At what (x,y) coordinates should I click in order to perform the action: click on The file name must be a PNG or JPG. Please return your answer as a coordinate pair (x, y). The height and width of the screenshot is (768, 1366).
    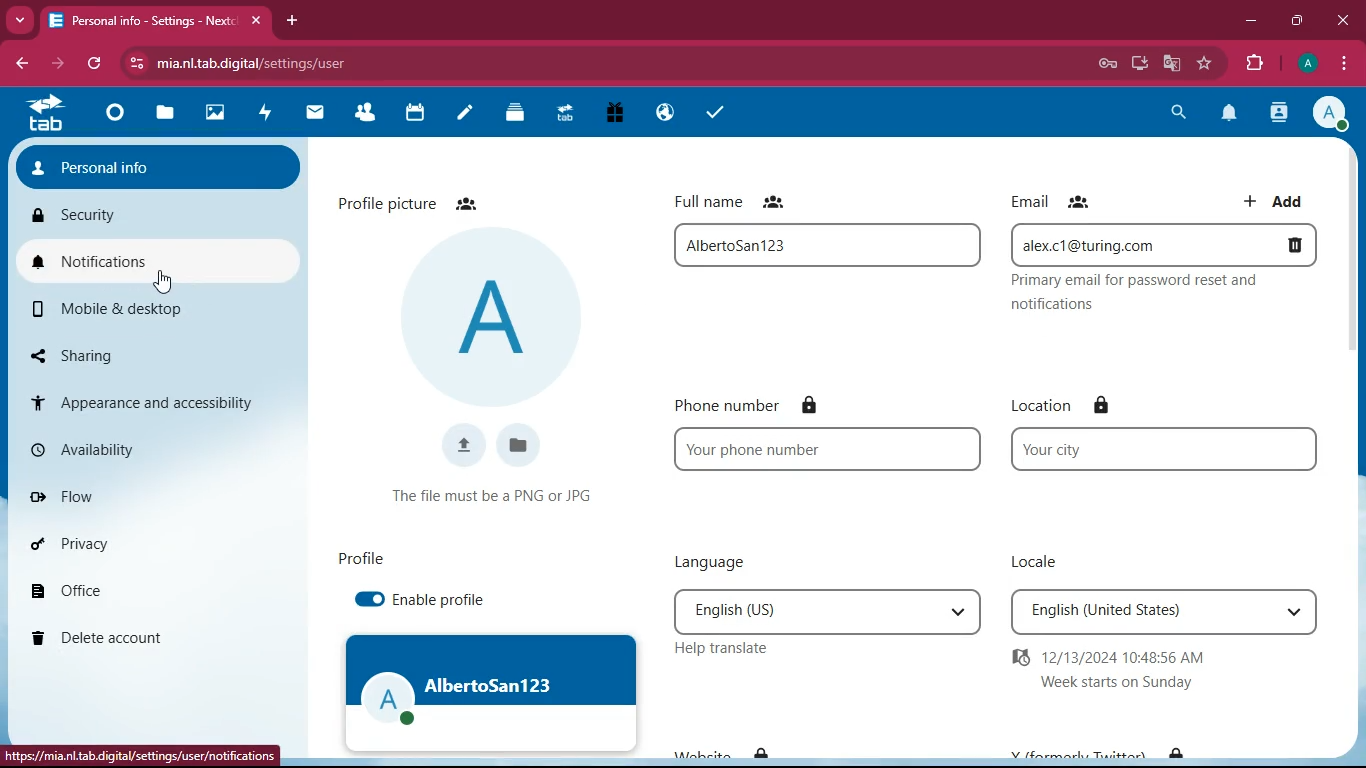
    Looking at the image, I should click on (497, 495).